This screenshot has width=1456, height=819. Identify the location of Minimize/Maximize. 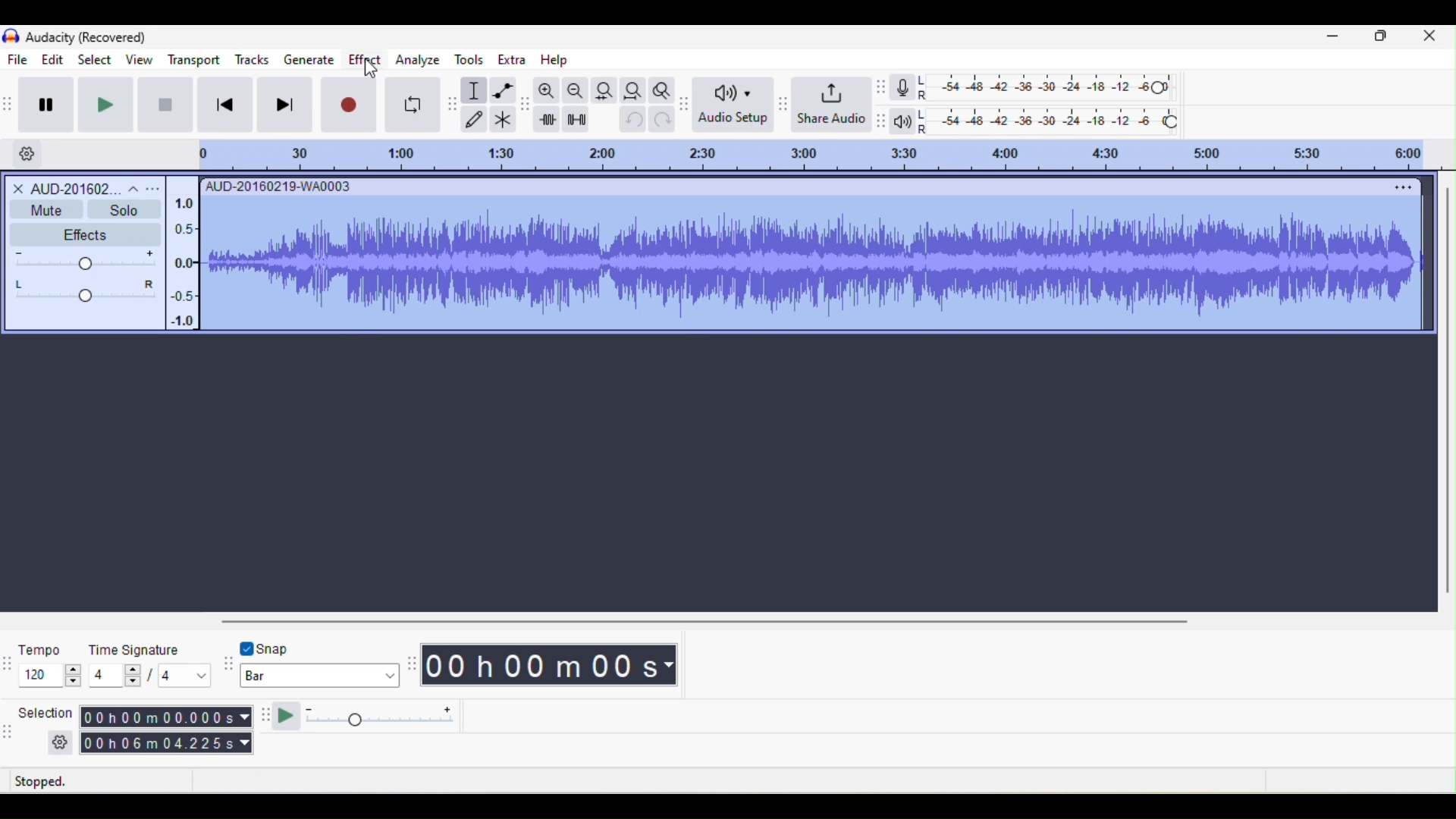
(1382, 39).